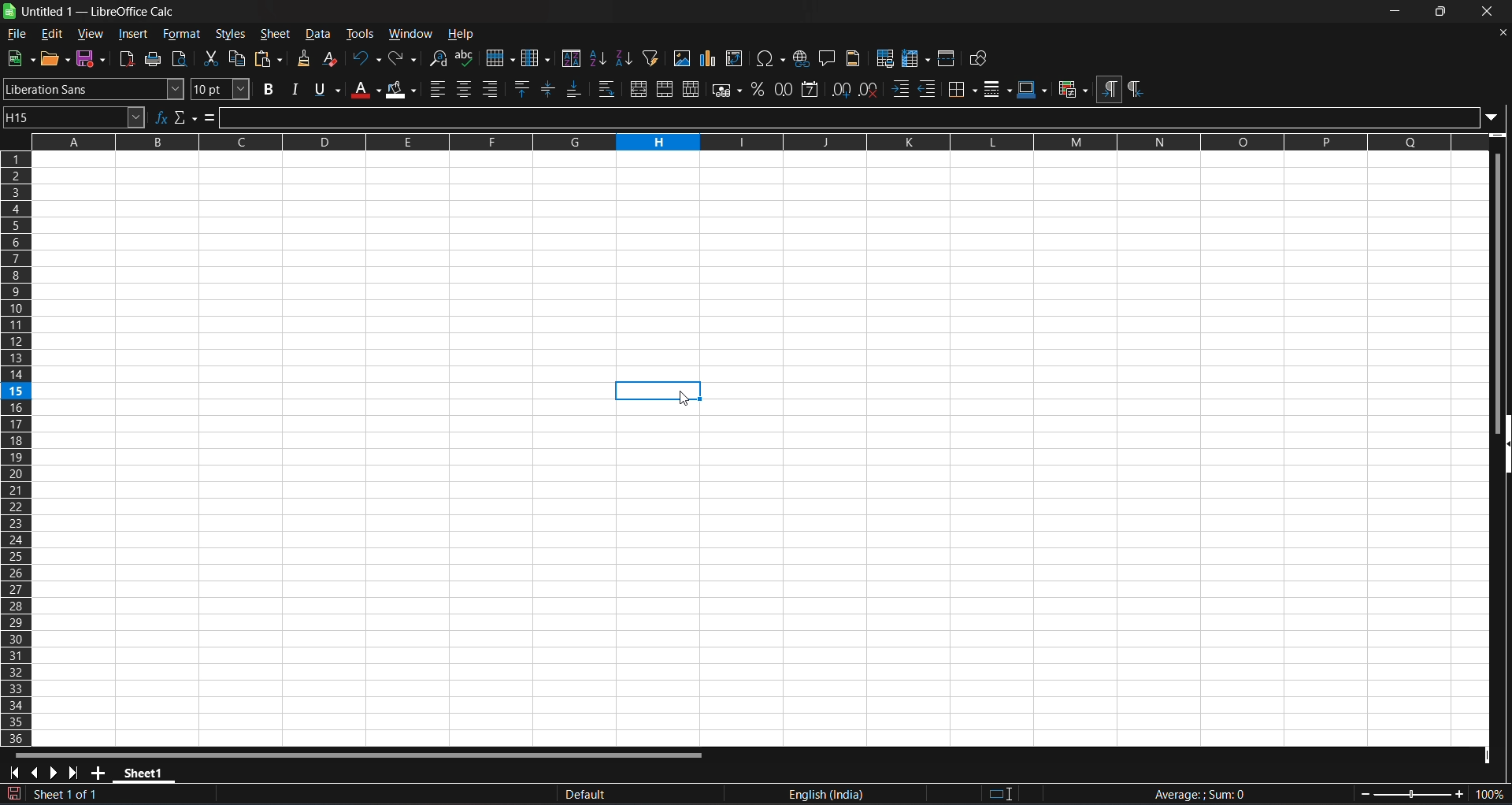 The width and height of the screenshot is (1512, 805). What do you see at coordinates (708, 59) in the screenshot?
I see `insert chart` at bounding box center [708, 59].